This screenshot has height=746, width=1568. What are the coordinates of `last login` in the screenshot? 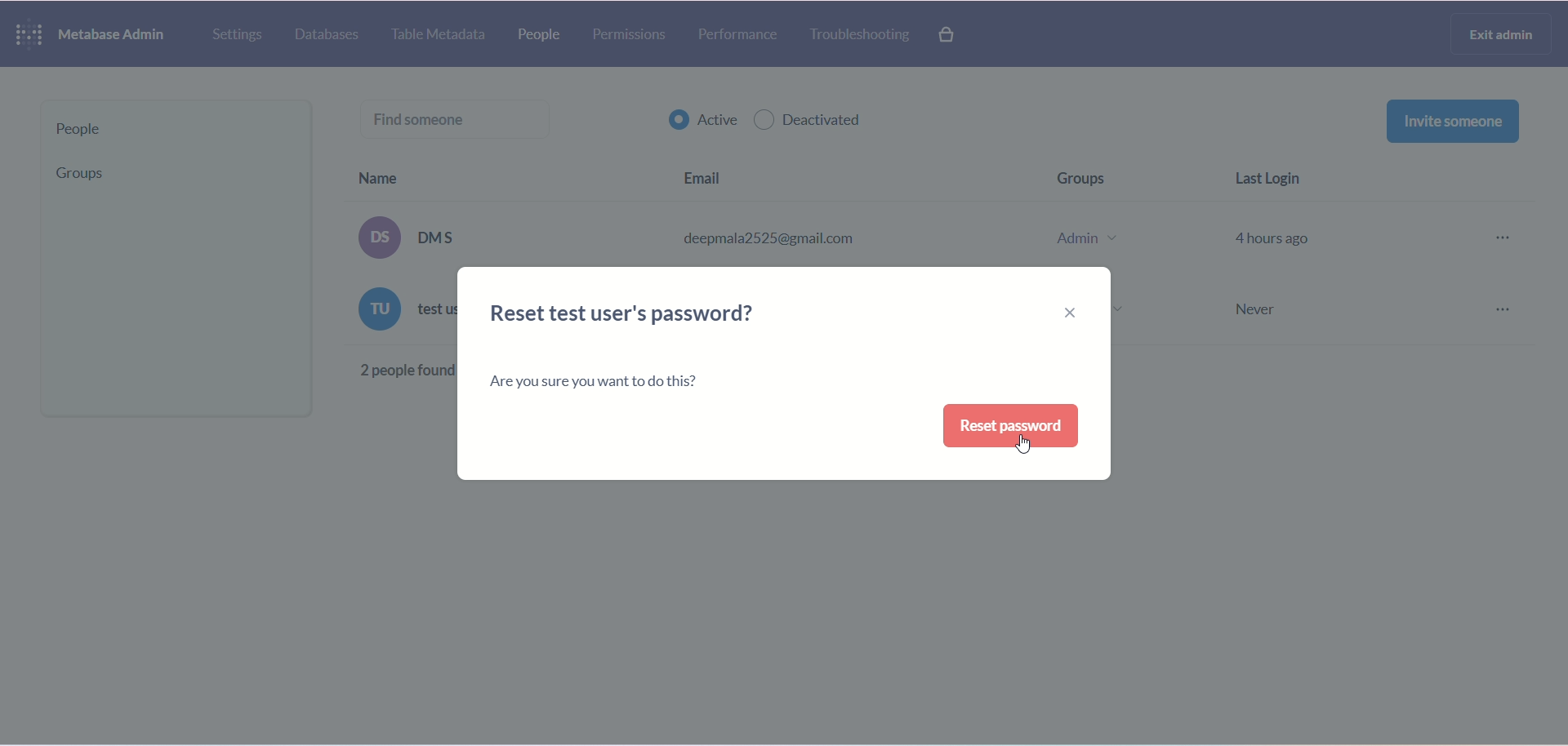 It's located at (1275, 180).